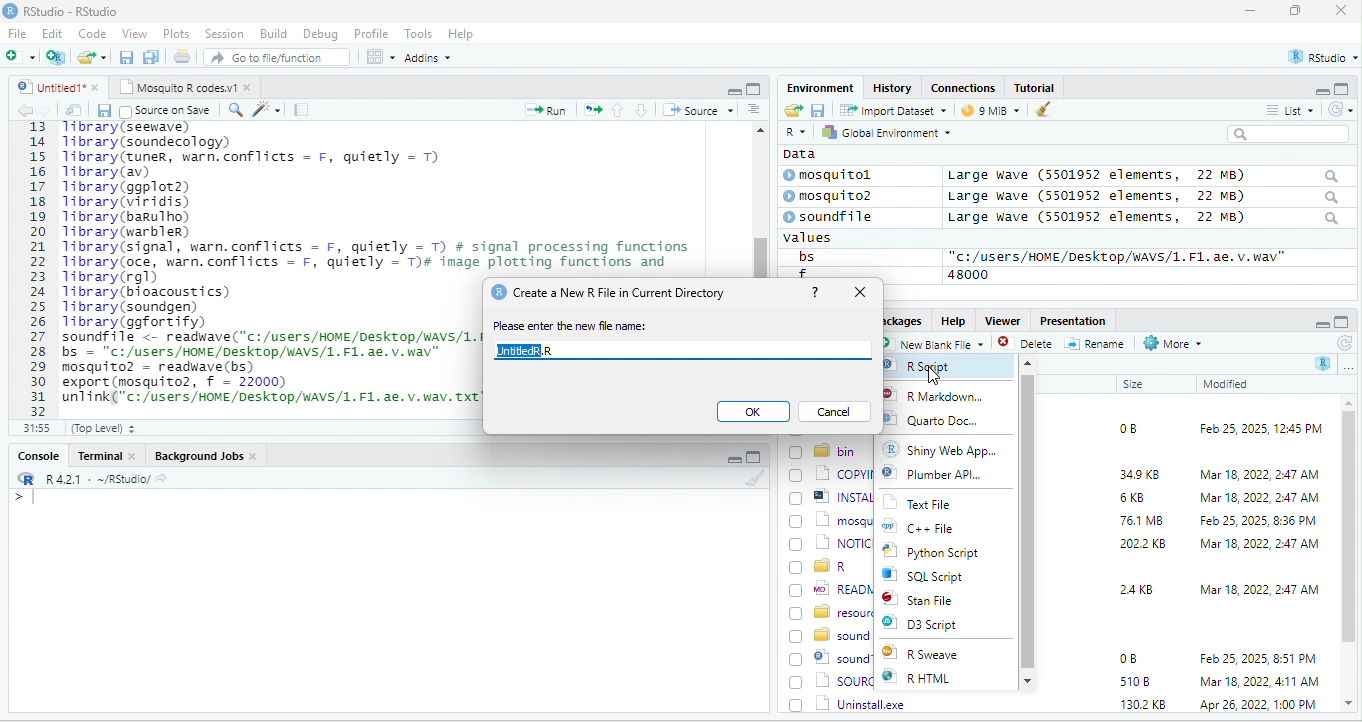 The width and height of the screenshot is (1362, 722). What do you see at coordinates (20, 55) in the screenshot?
I see `new` at bounding box center [20, 55].